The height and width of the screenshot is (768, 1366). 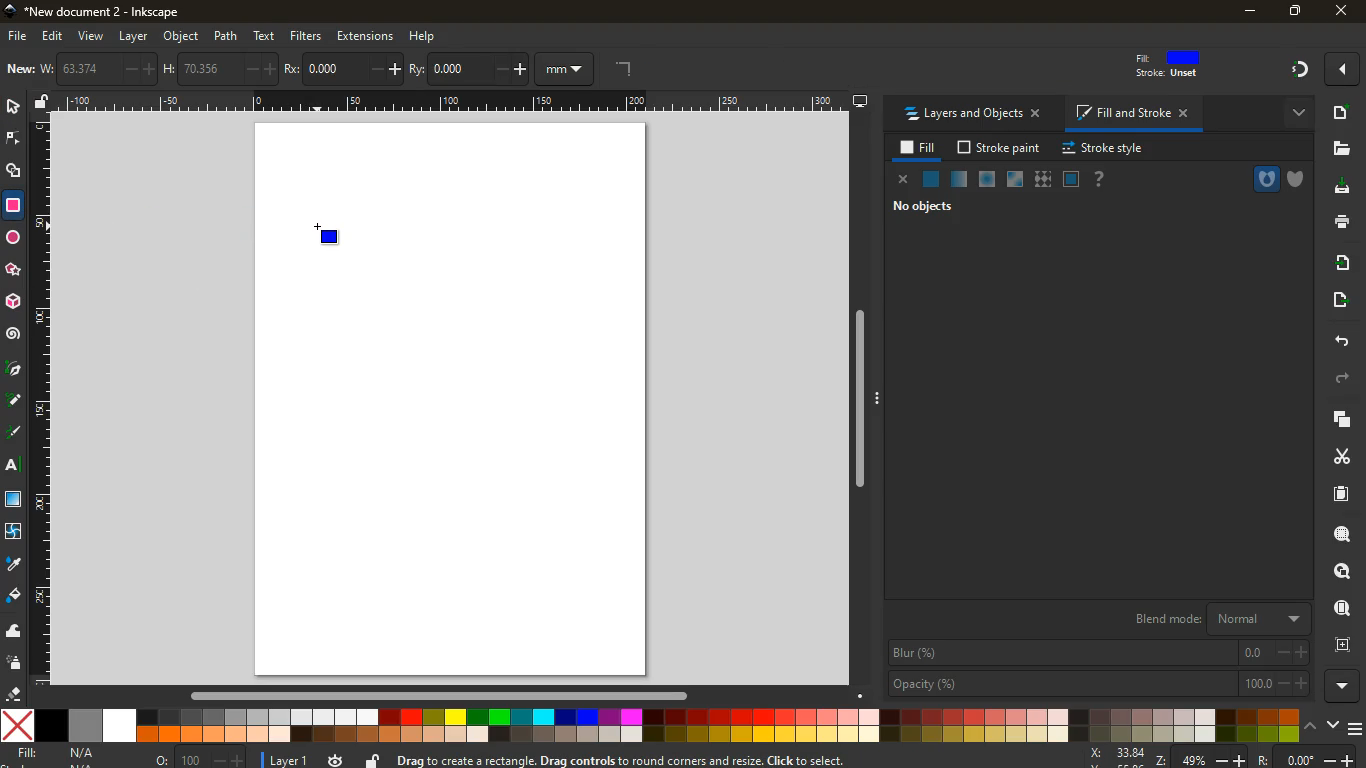 I want to click on d, so click(x=15, y=400).